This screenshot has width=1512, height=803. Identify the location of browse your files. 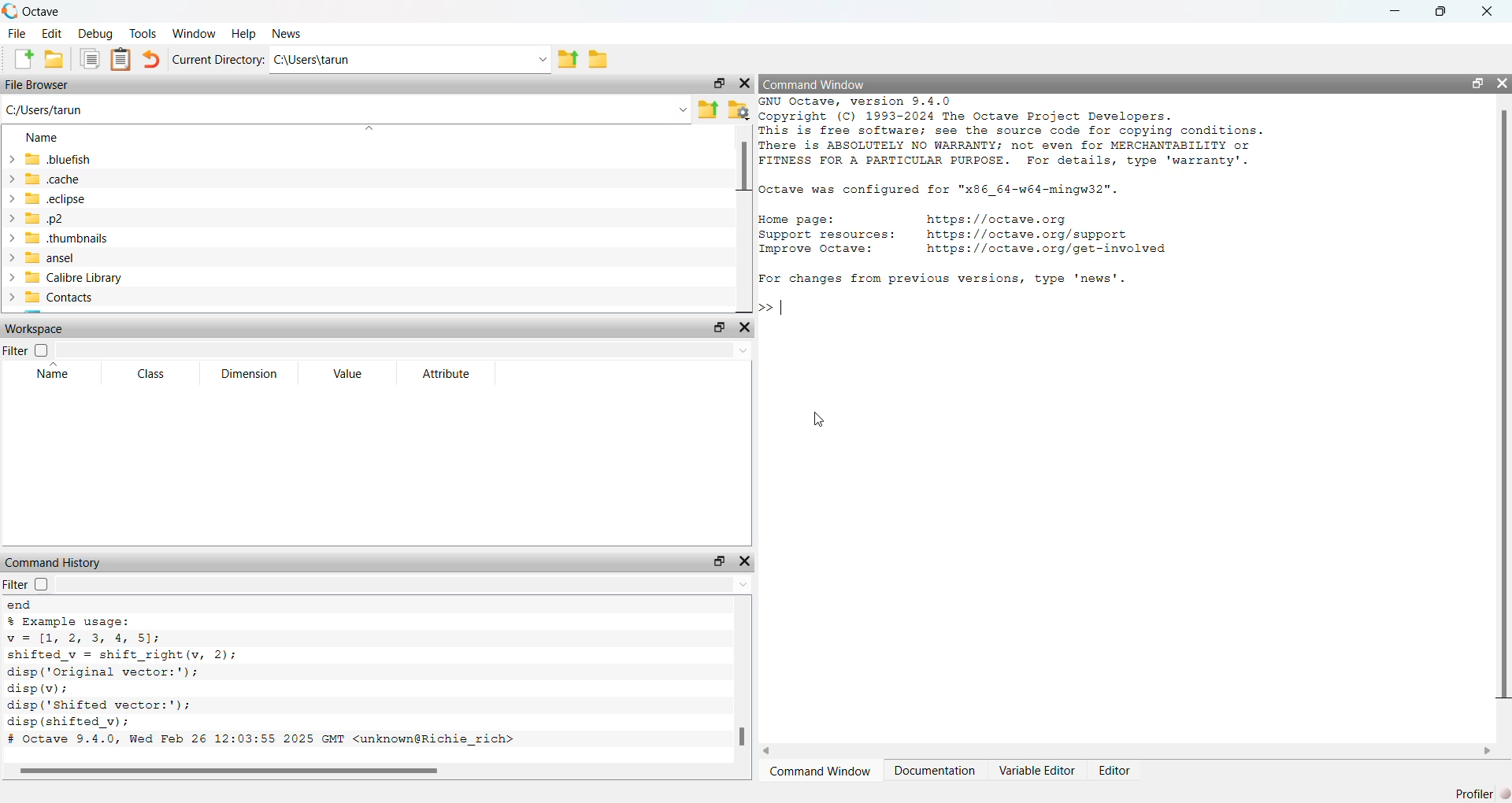
(739, 111).